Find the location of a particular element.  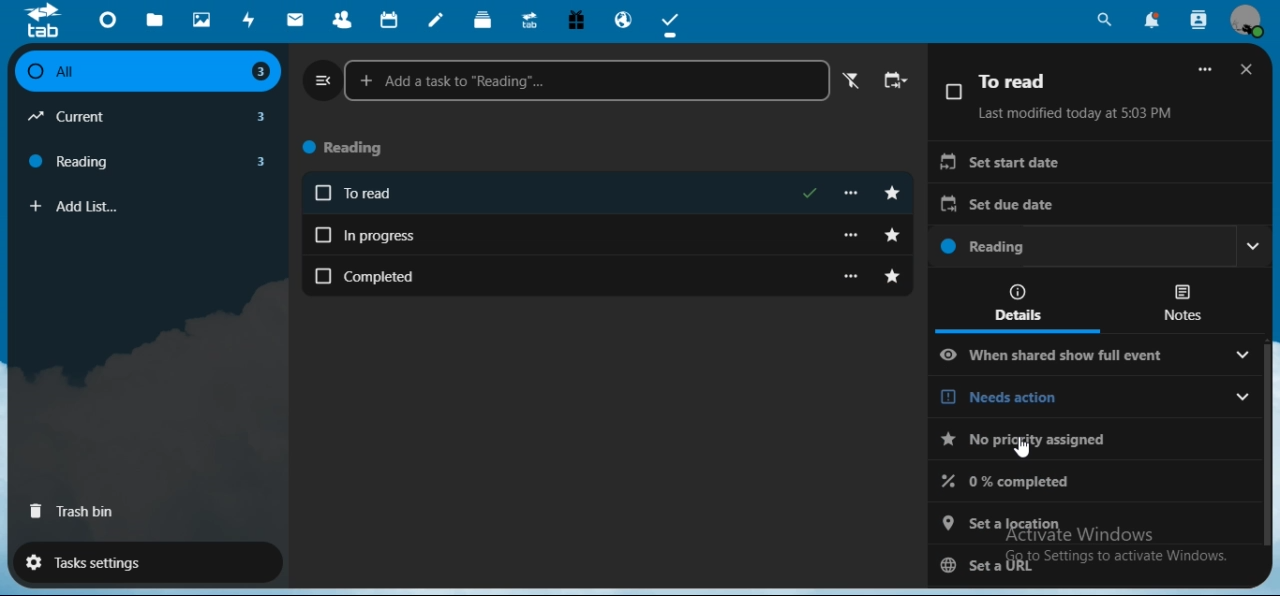

more is located at coordinates (856, 193).